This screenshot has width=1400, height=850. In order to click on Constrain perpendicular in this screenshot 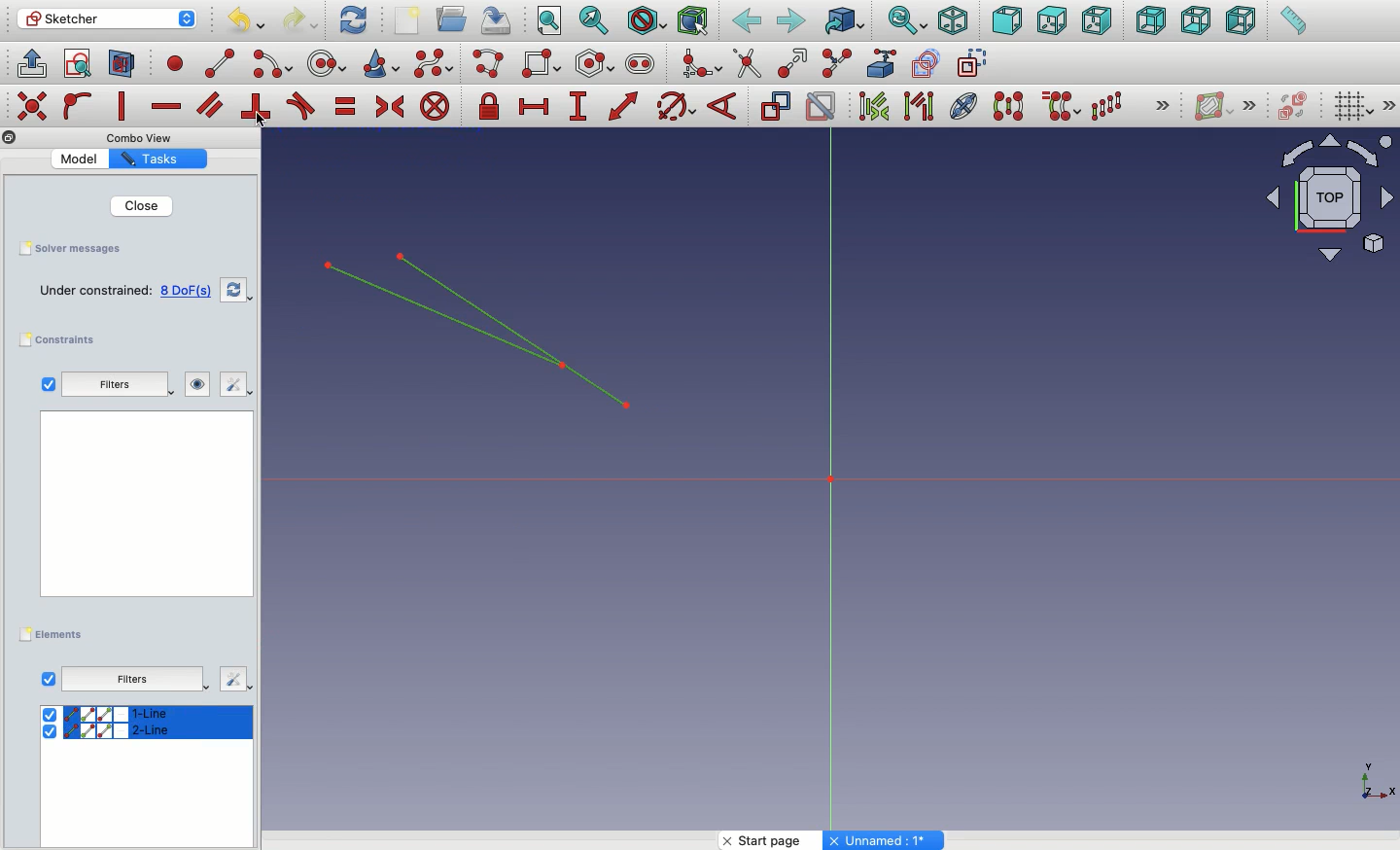, I will do `click(257, 107)`.